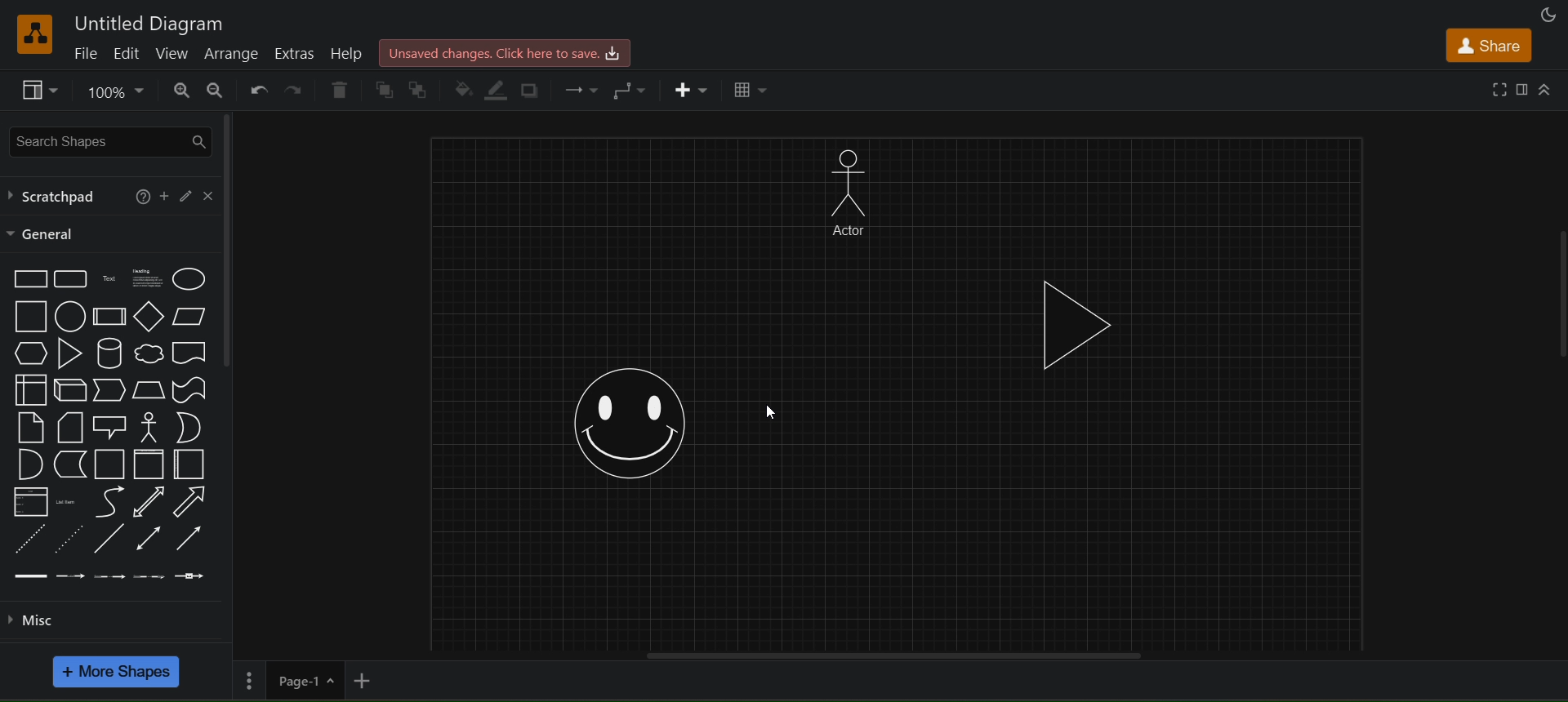 Image resolution: width=1568 pixels, height=702 pixels. Describe the element at coordinates (68, 500) in the screenshot. I see `list items` at that location.